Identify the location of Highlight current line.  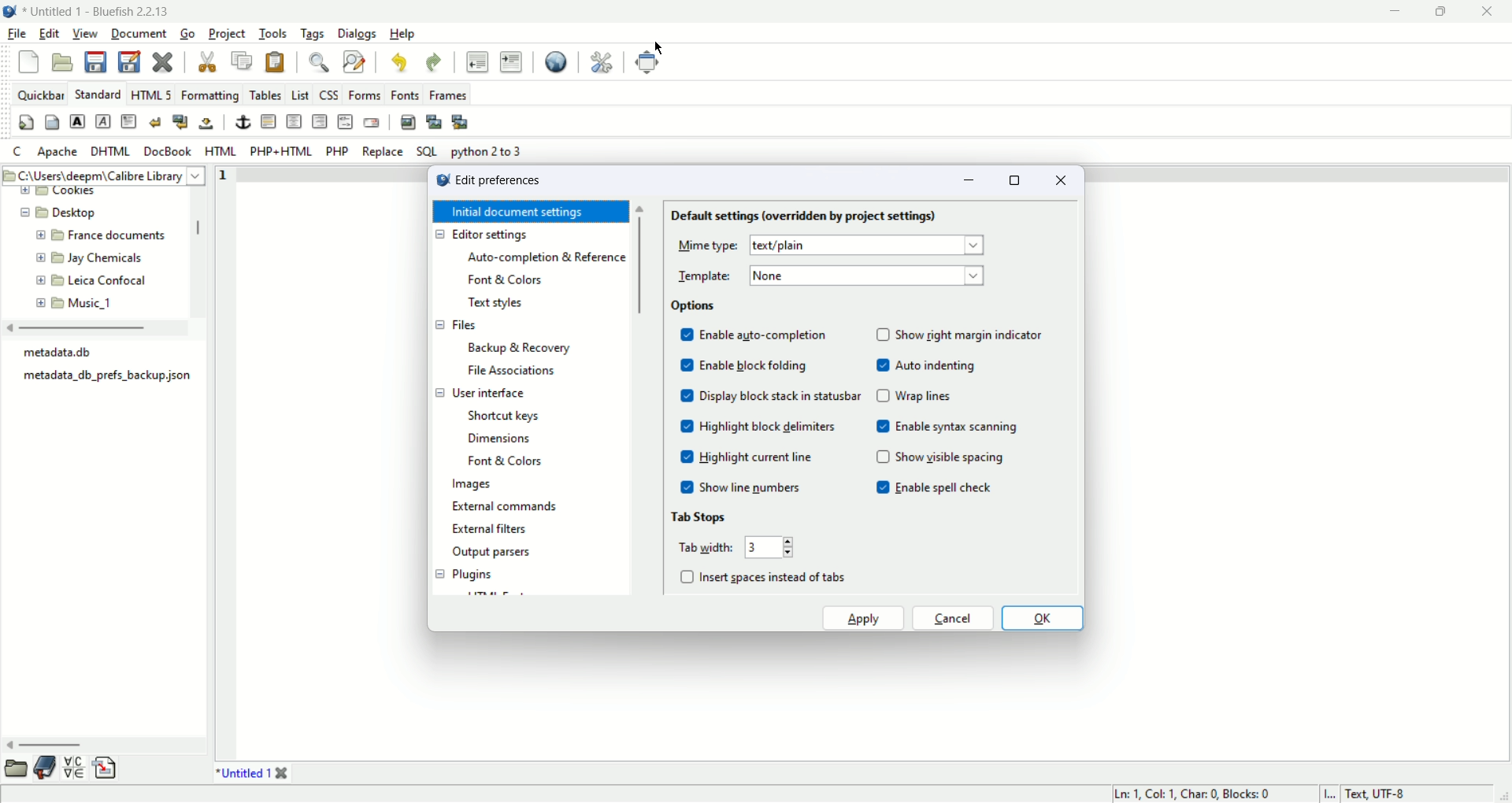
(771, 457).